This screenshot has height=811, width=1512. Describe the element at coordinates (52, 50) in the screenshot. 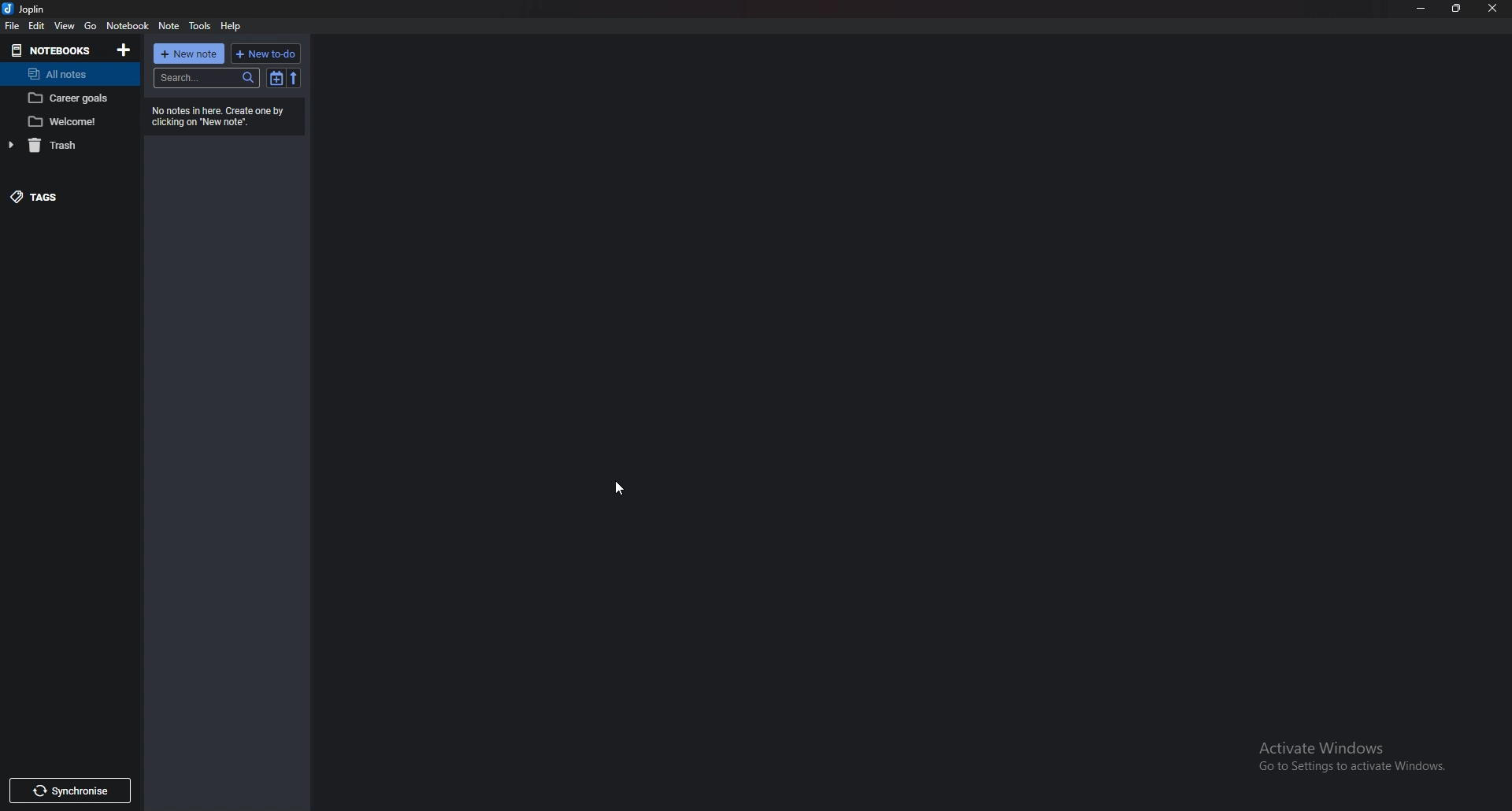

I see `notebooks` at that location.